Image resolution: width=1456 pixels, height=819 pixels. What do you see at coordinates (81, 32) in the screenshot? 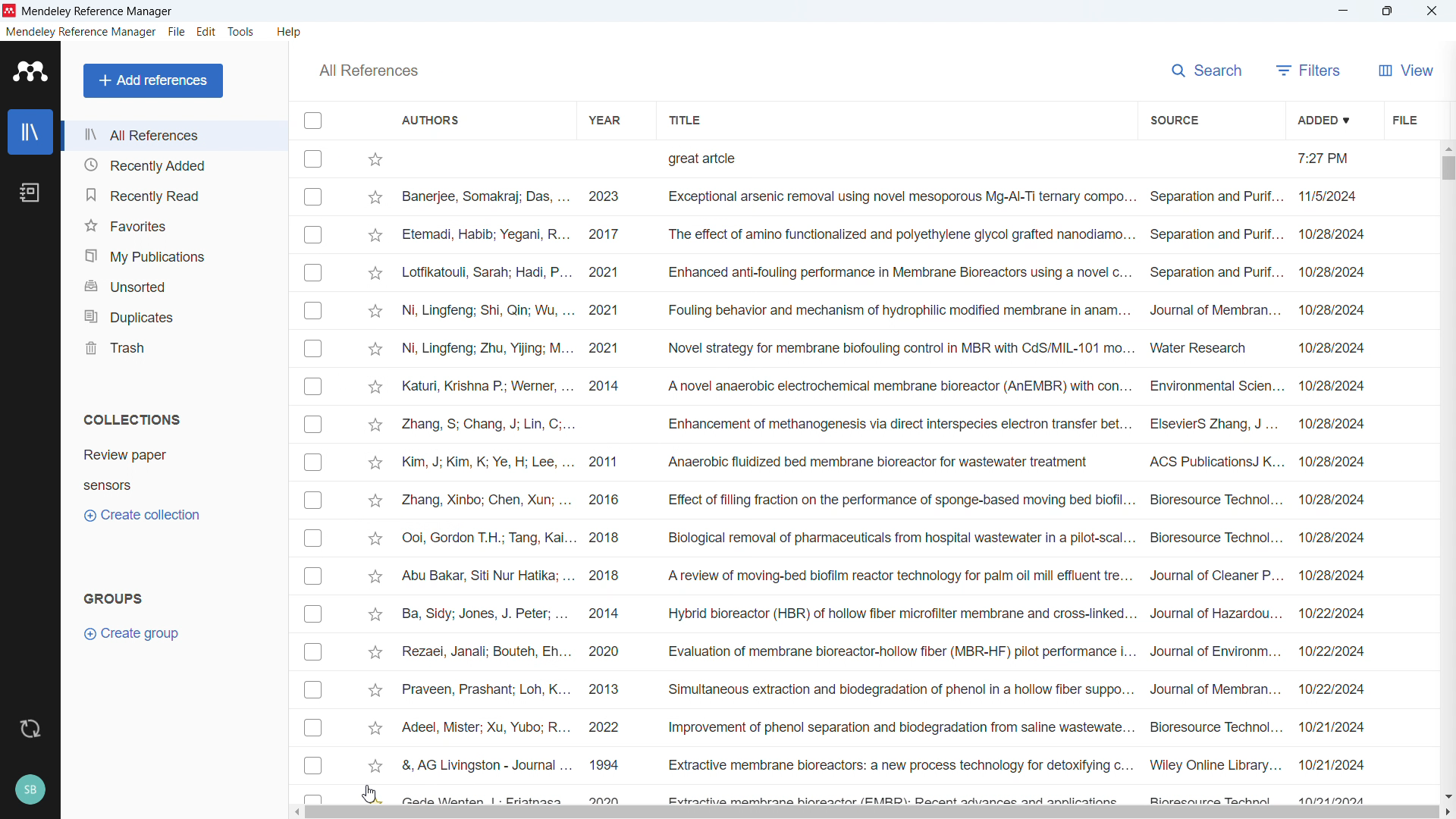
I see `Mendeley reference manager ` at bounding box center [81, 32].